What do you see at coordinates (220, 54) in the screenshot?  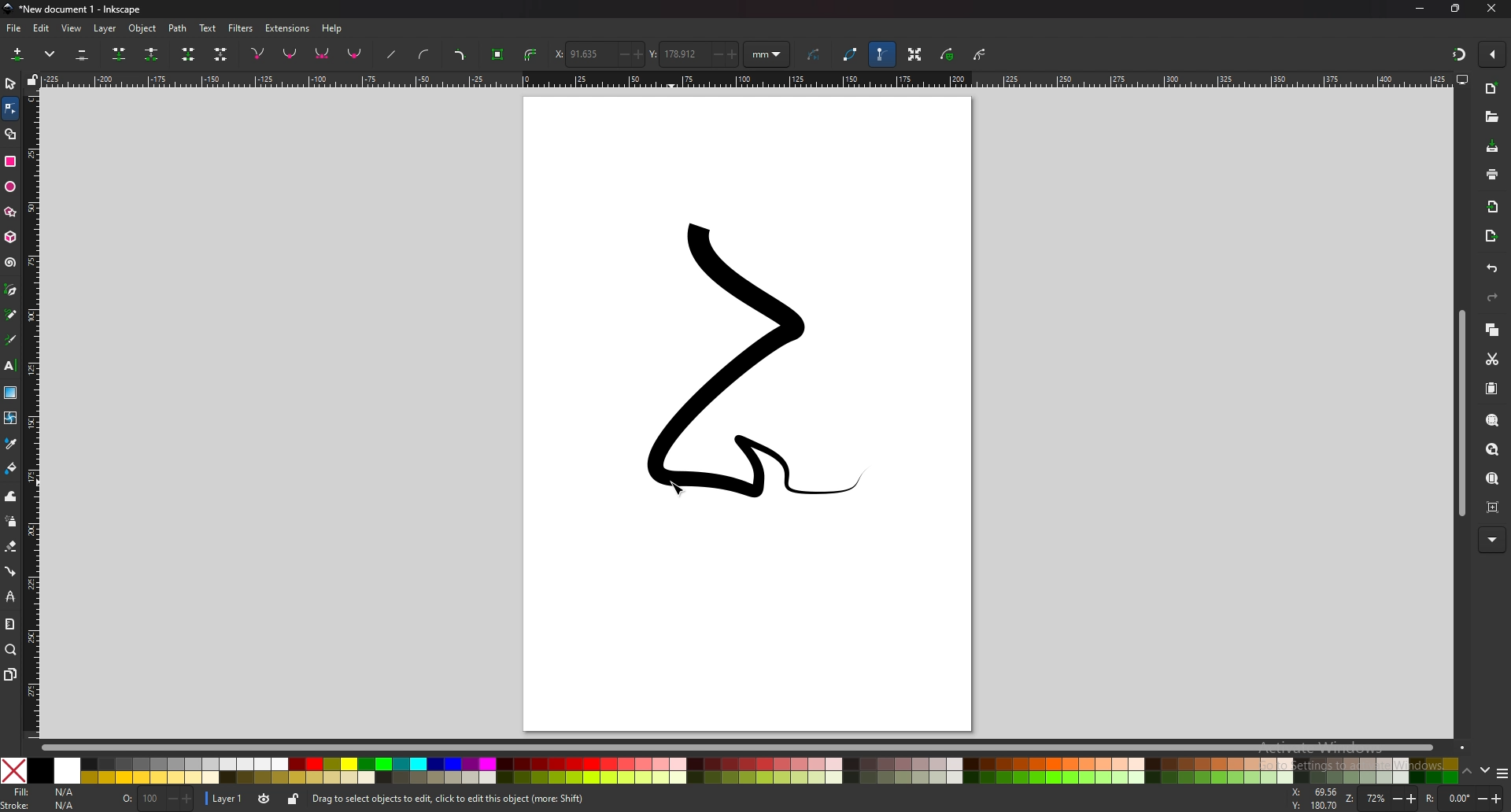 I see `delete segment between two non endpoint nodes` at bounding box center [220, 54].